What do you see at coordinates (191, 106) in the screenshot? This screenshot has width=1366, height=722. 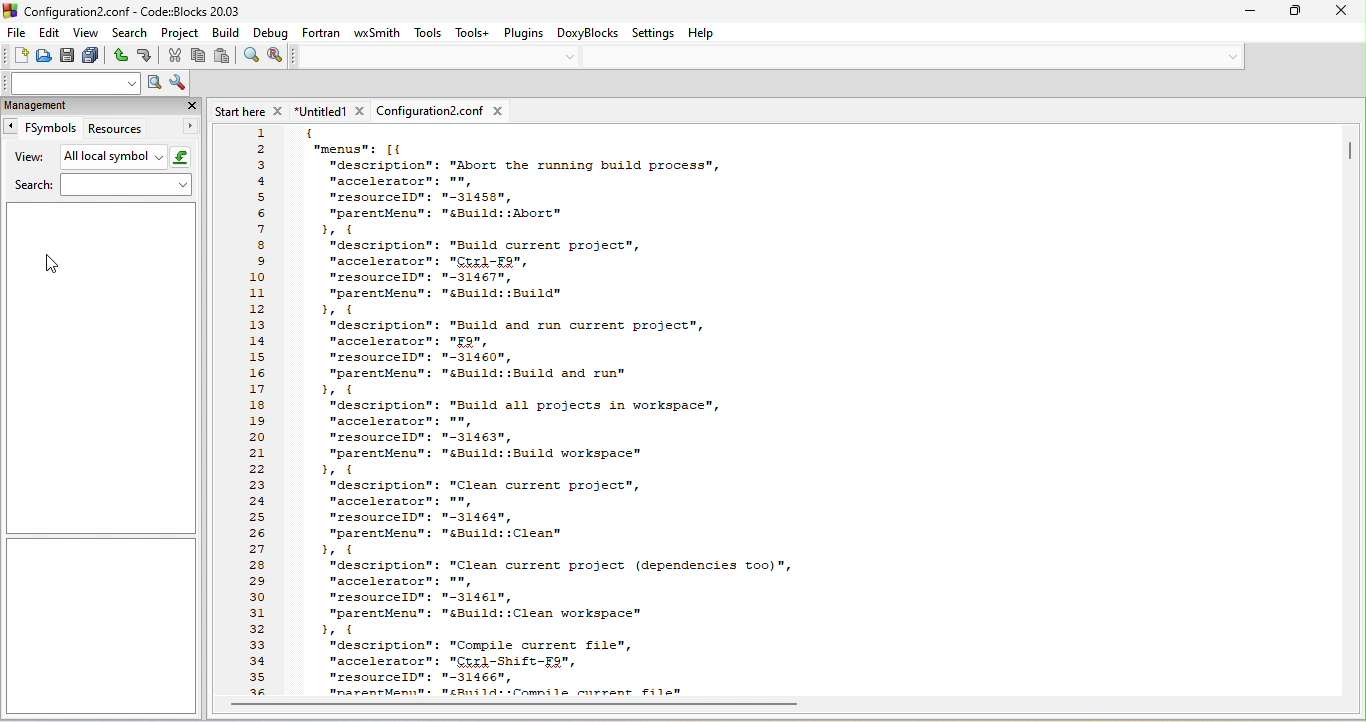 I see `close` at bounding box center [191, 106].